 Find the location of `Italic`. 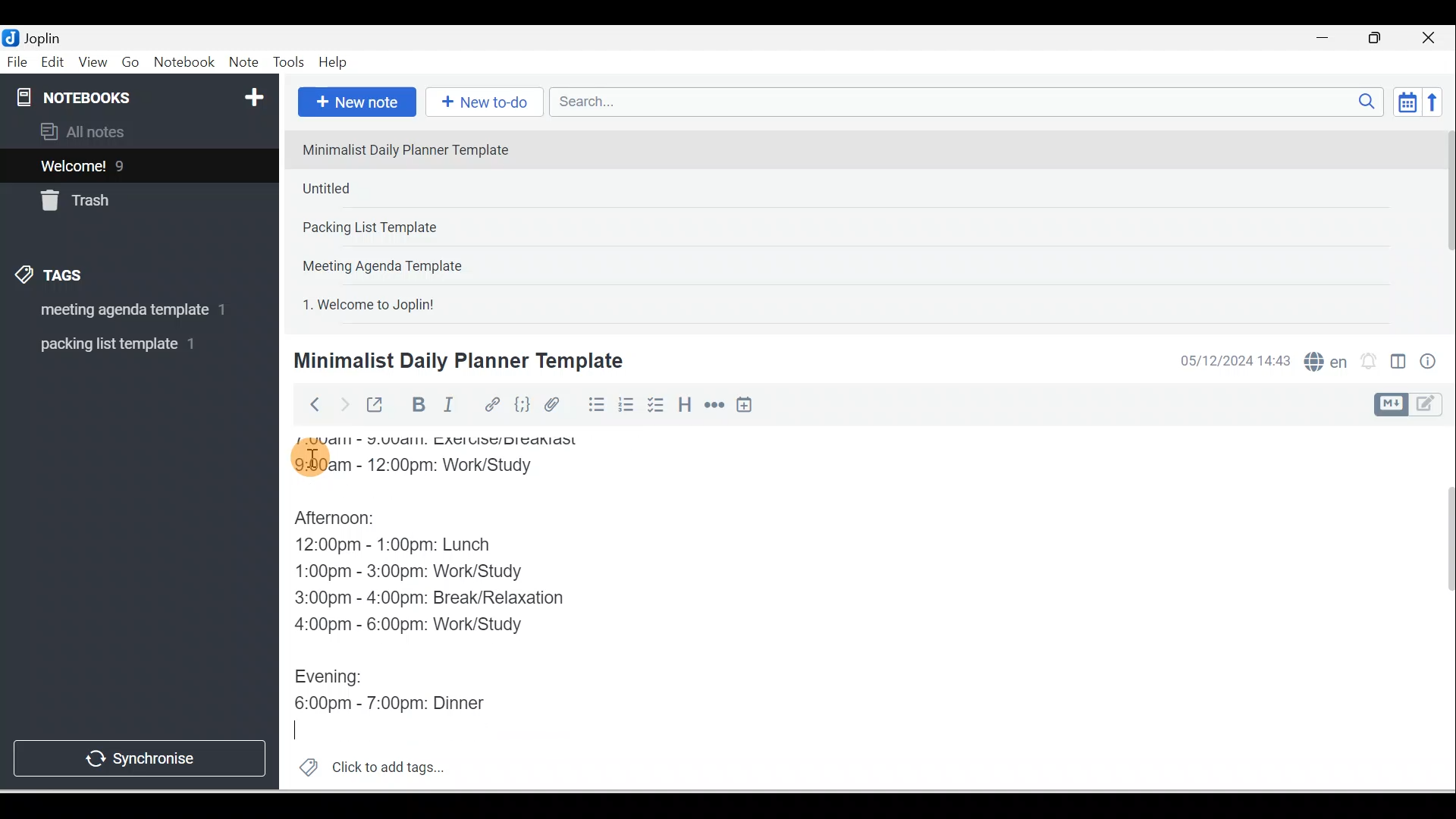

Italic is located at coordinates (451, 407).